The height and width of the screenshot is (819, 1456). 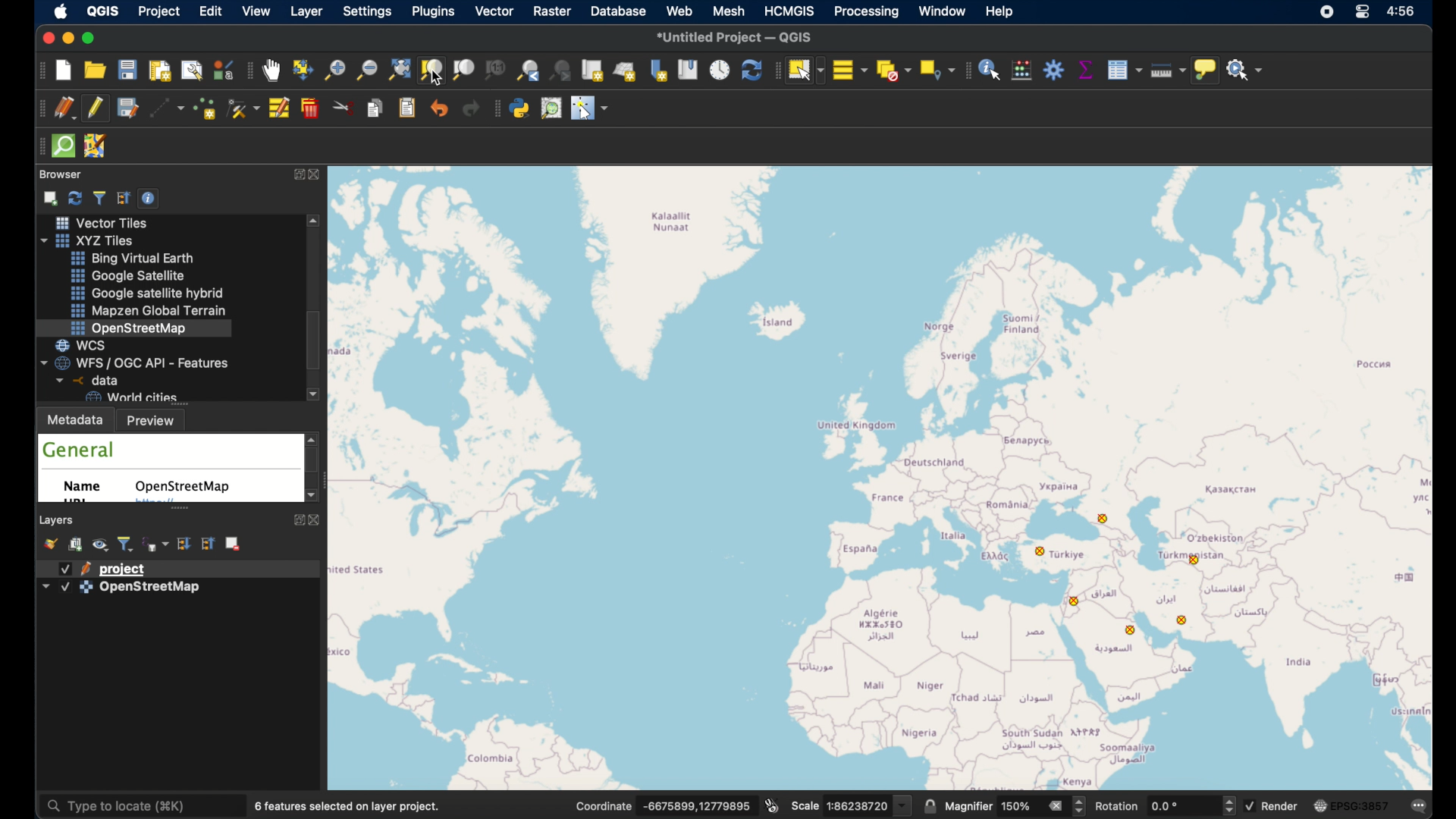 I want to click on expand all, so click(x=184, y=543).